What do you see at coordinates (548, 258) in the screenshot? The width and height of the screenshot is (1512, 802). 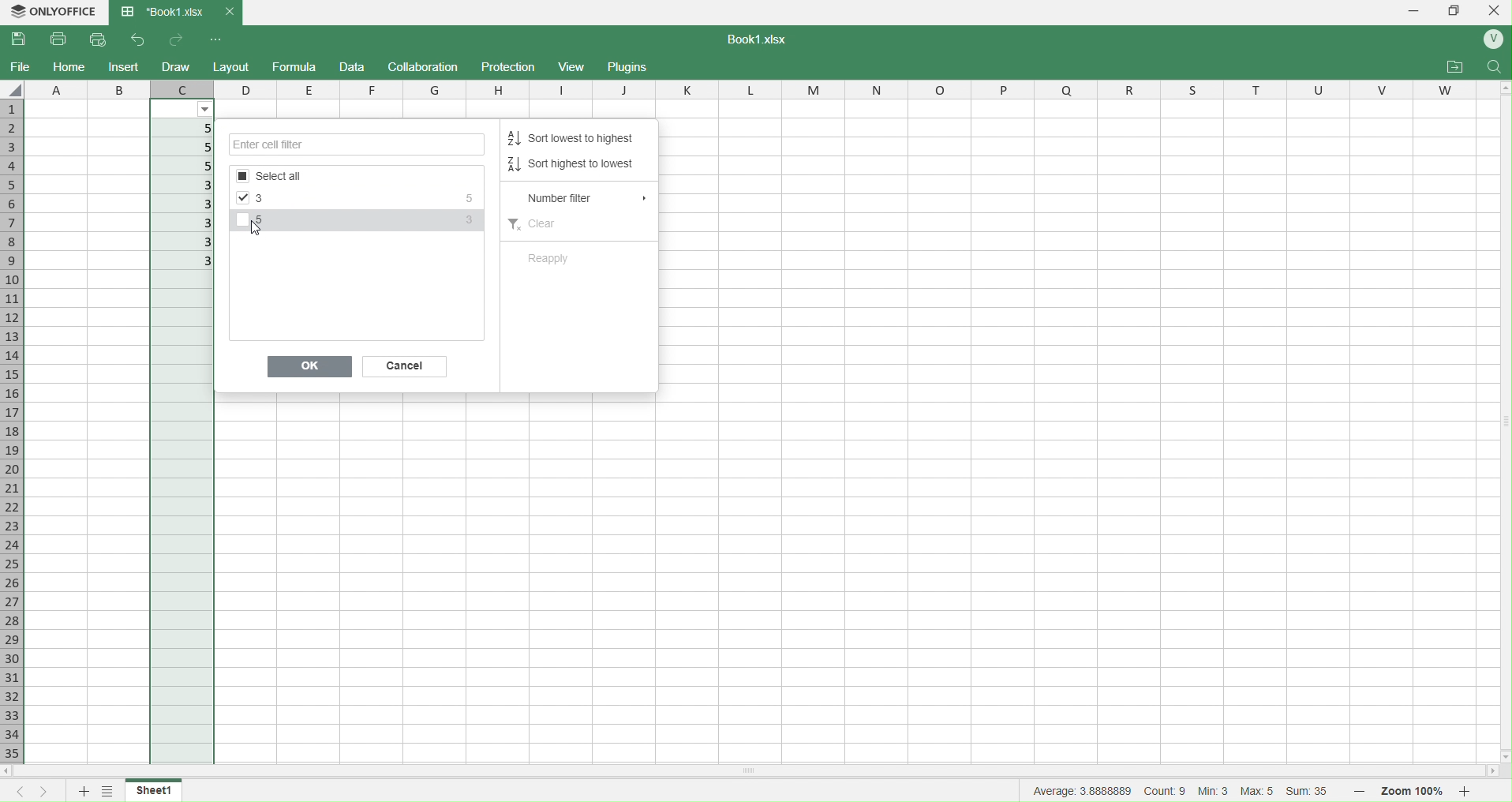 I see `Reapplu` at bounding box center [548, 258].